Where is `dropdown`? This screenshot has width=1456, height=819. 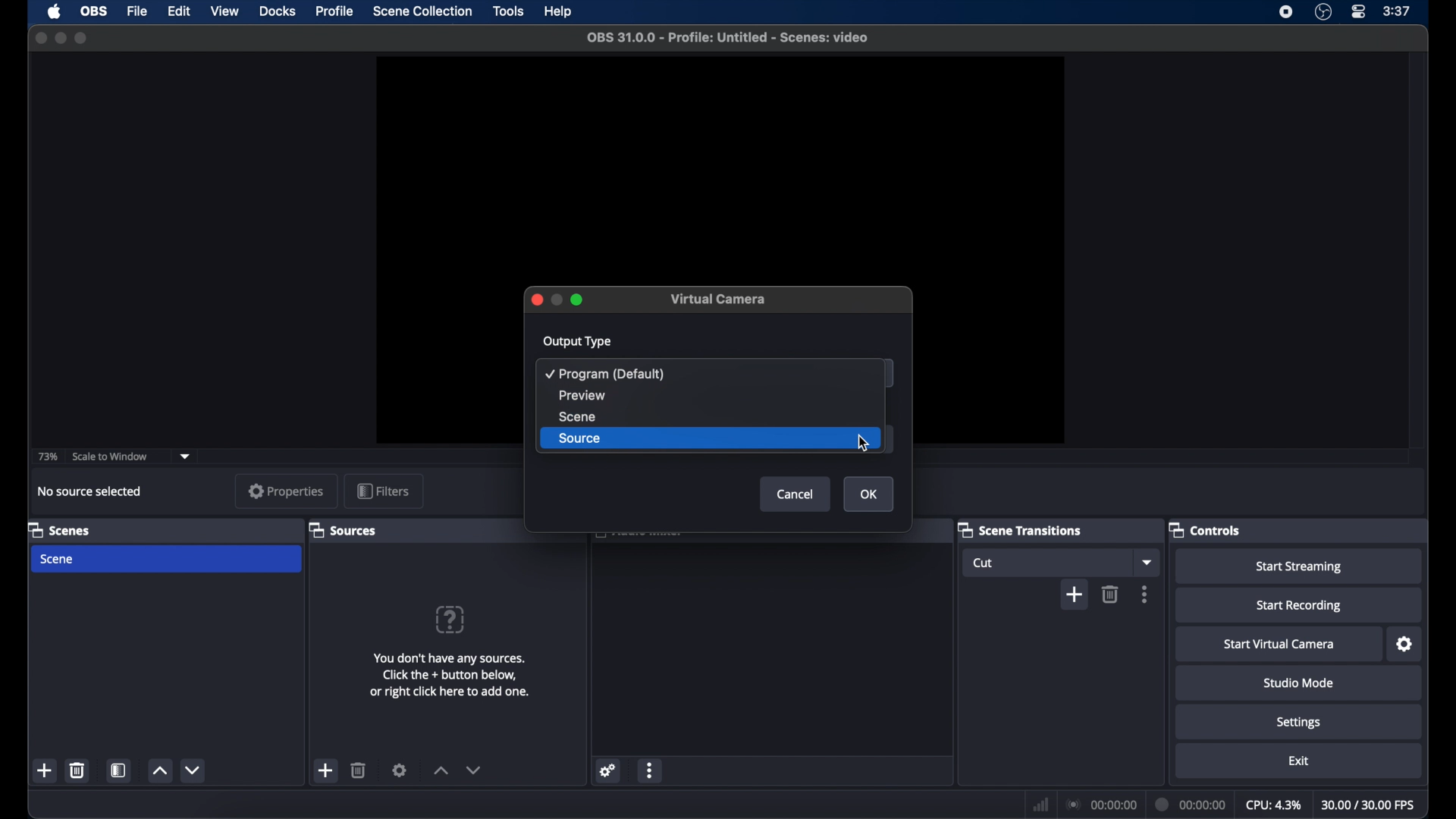
dropdown is located at coordinates (1146, 562).